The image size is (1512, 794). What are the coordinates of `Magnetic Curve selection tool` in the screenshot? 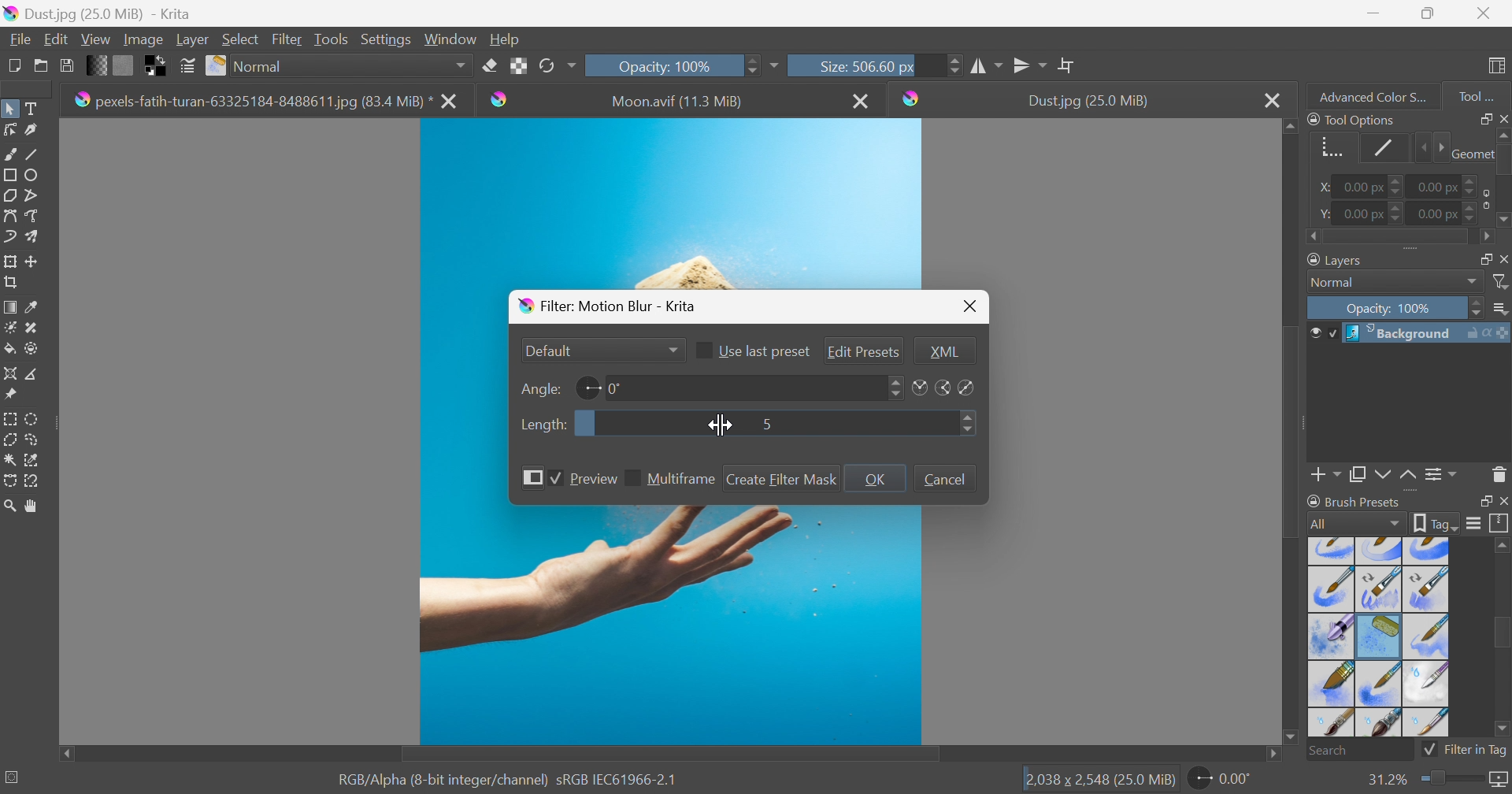 It's located at (34, 480).